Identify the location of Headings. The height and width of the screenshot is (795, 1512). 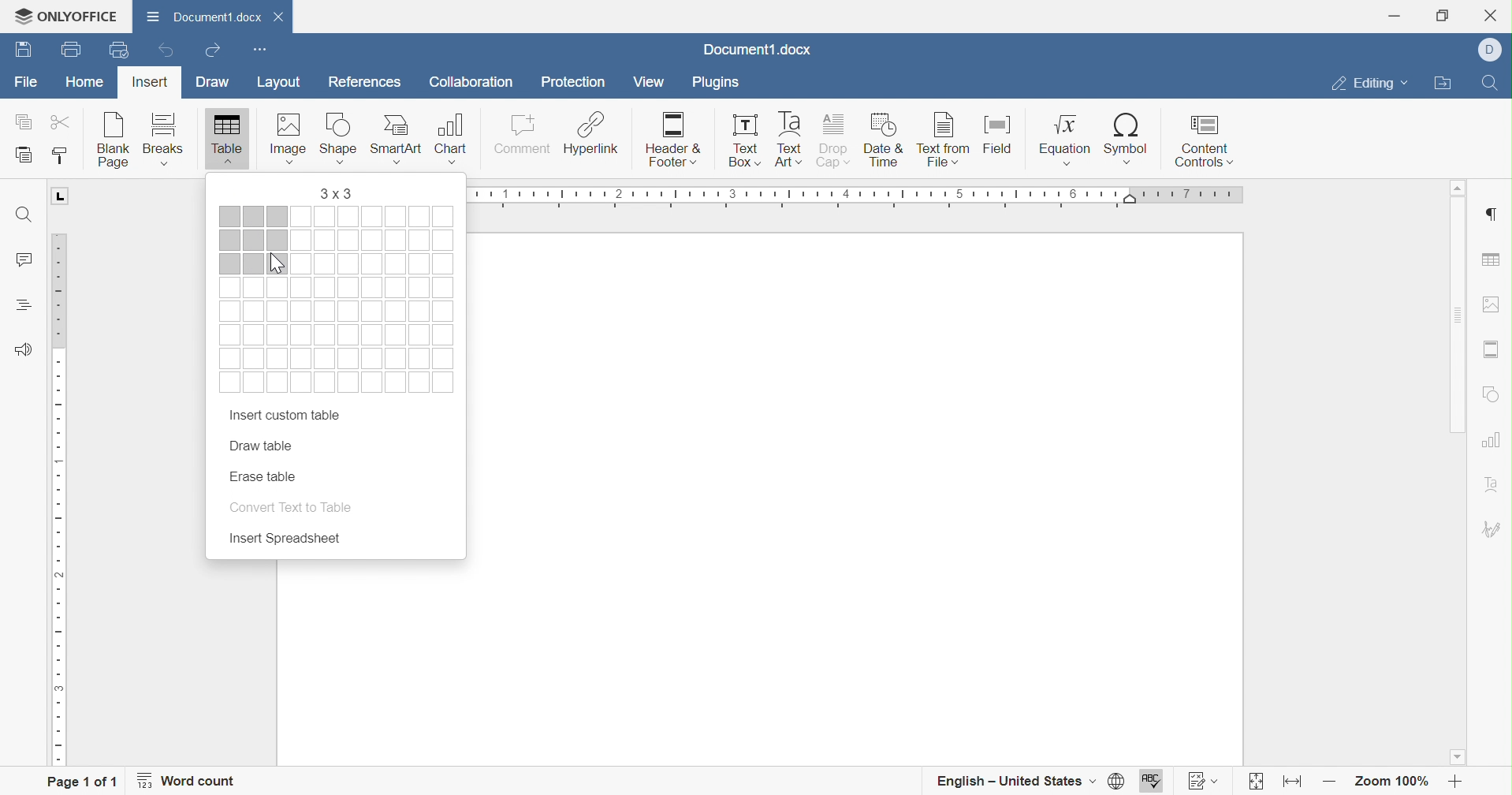
(26, 305).